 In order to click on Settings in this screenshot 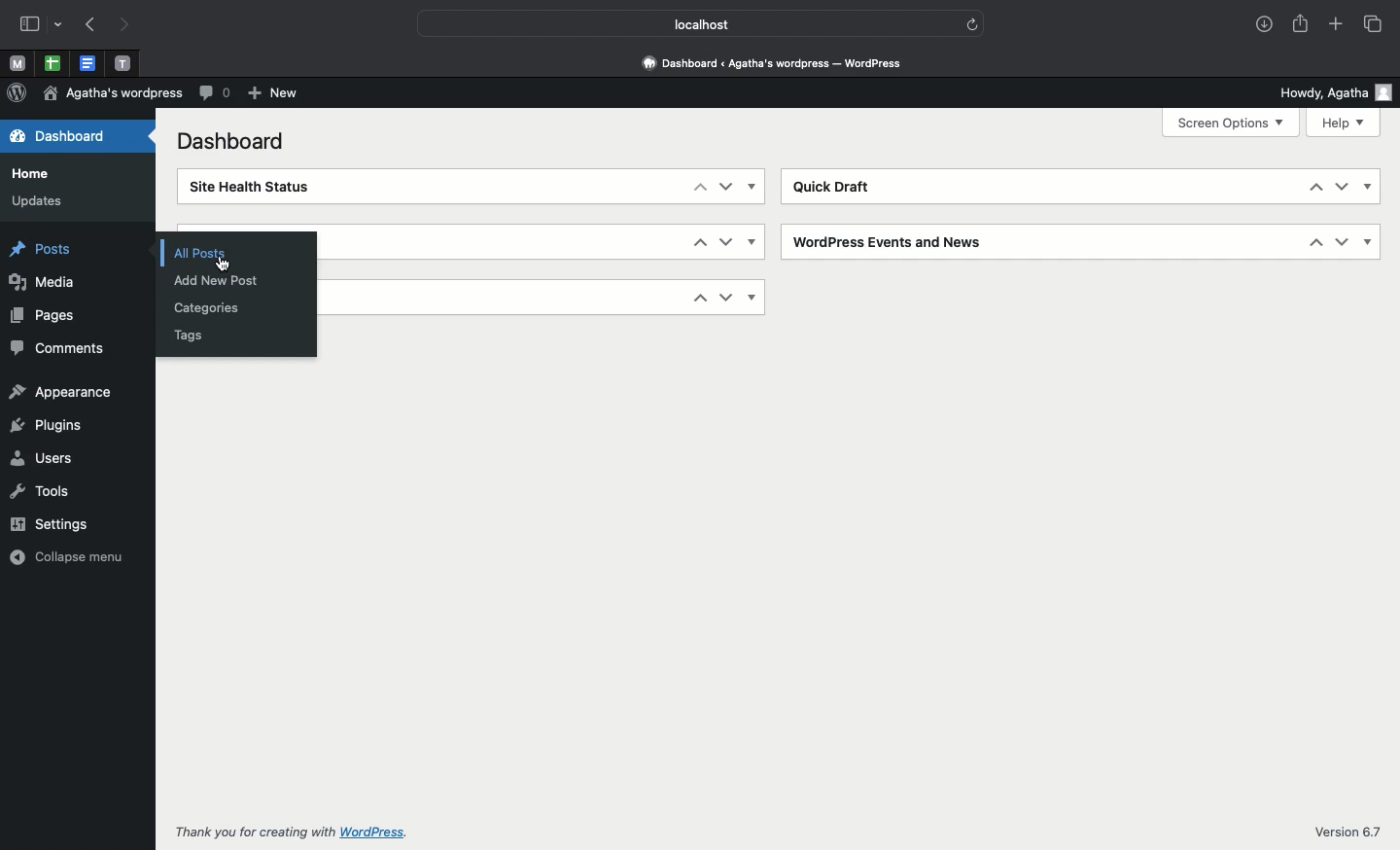, I will do `click(50, 523)`.